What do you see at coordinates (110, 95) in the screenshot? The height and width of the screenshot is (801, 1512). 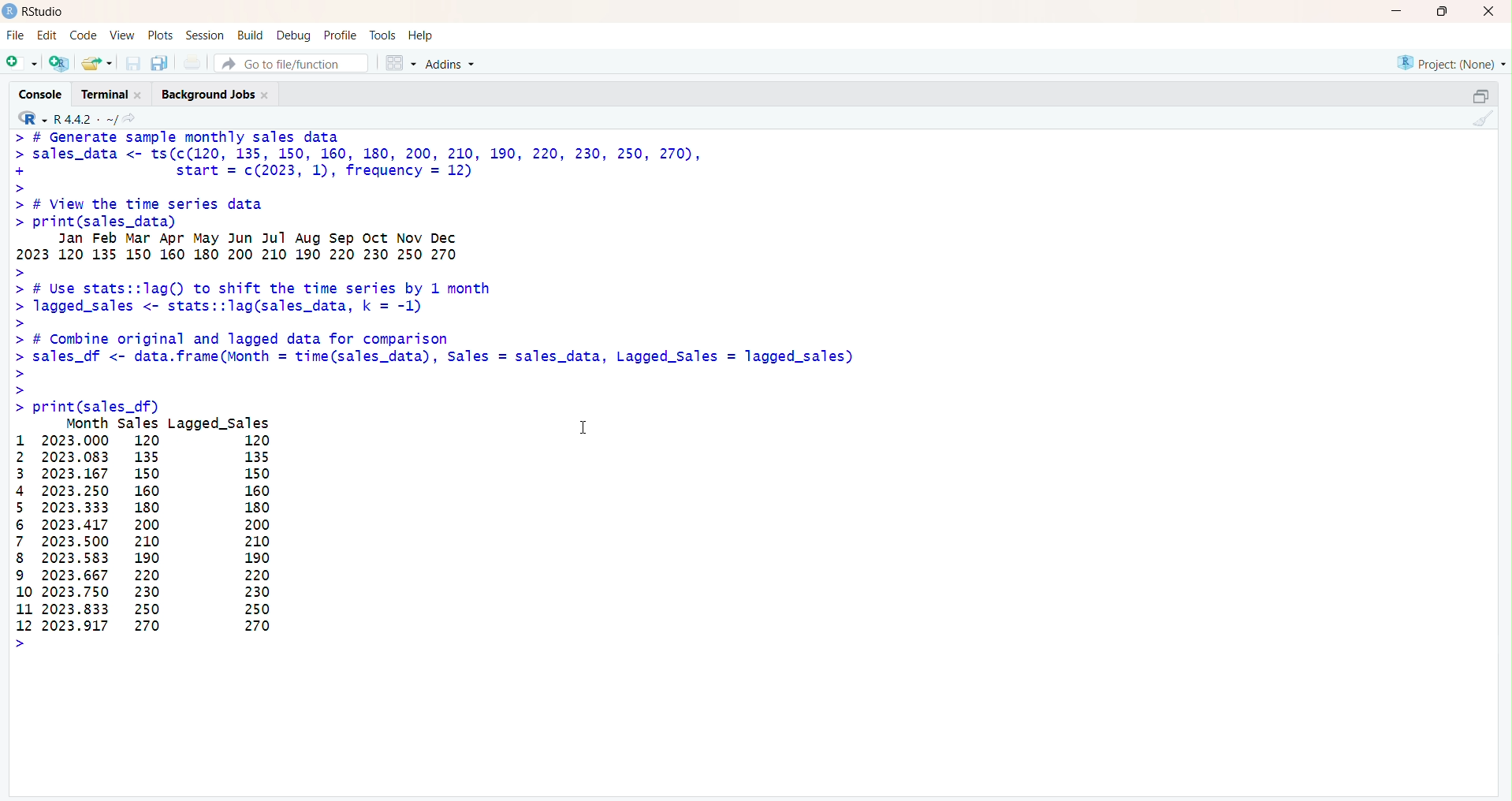 I see `terminal` at bounding box center [110, 95].